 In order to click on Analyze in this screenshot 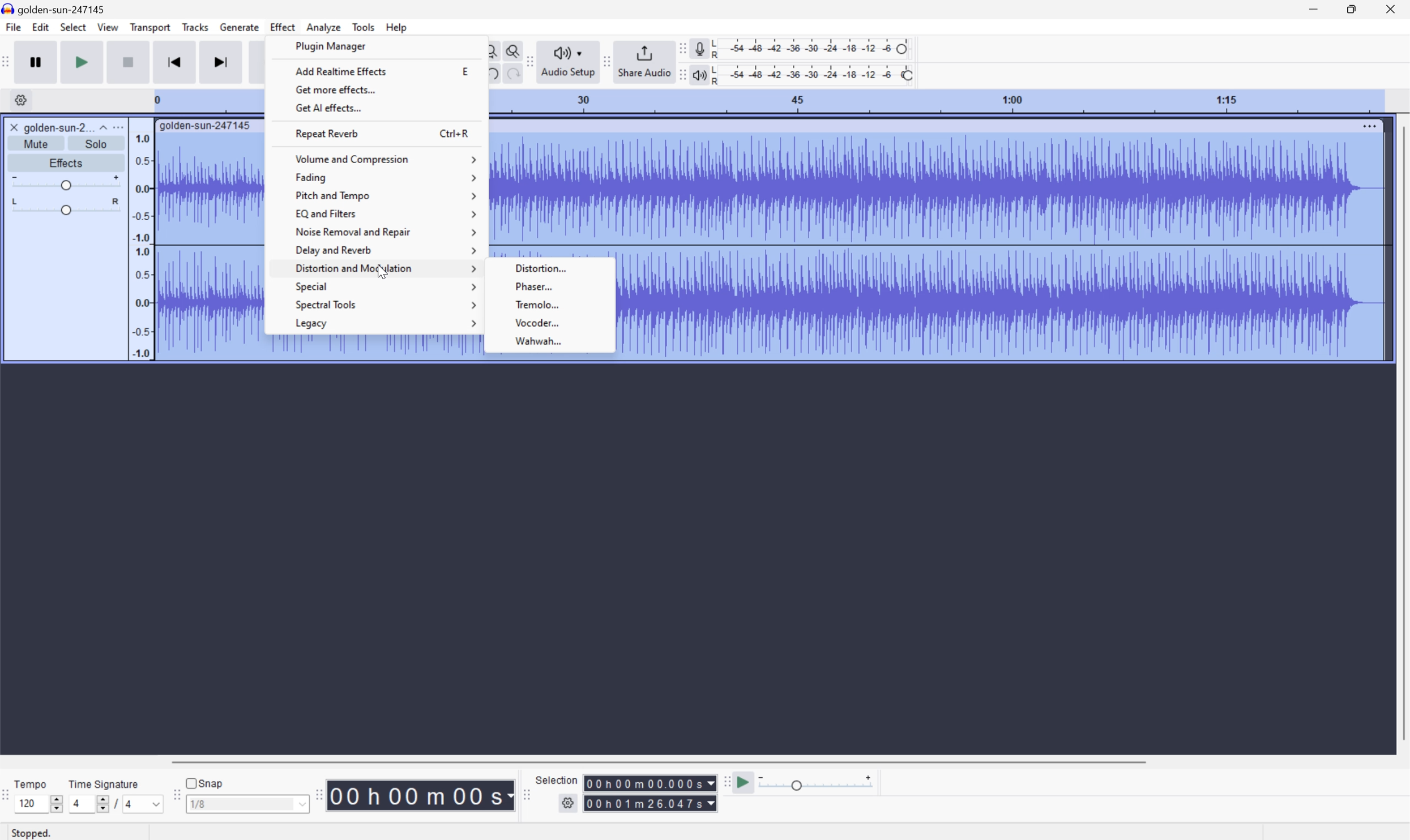, I will do `click(323, 27)`.